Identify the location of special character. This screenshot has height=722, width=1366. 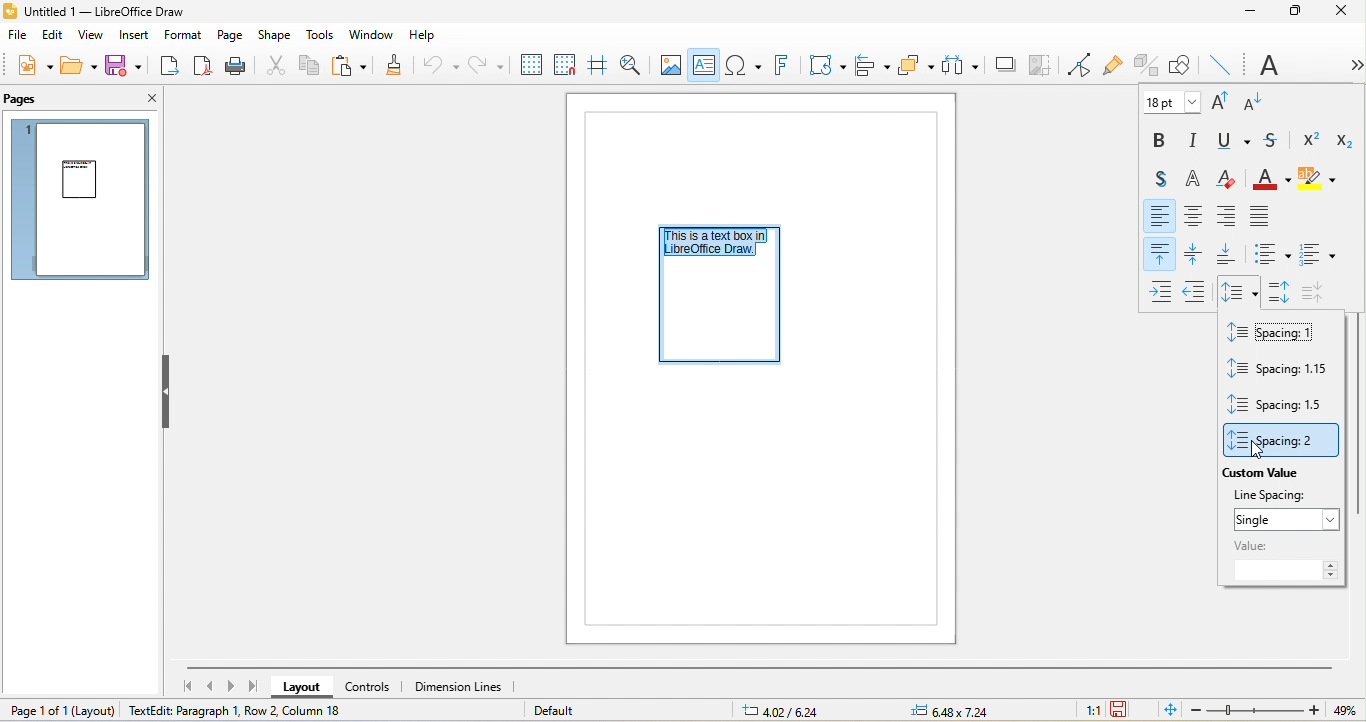
(745, 66).